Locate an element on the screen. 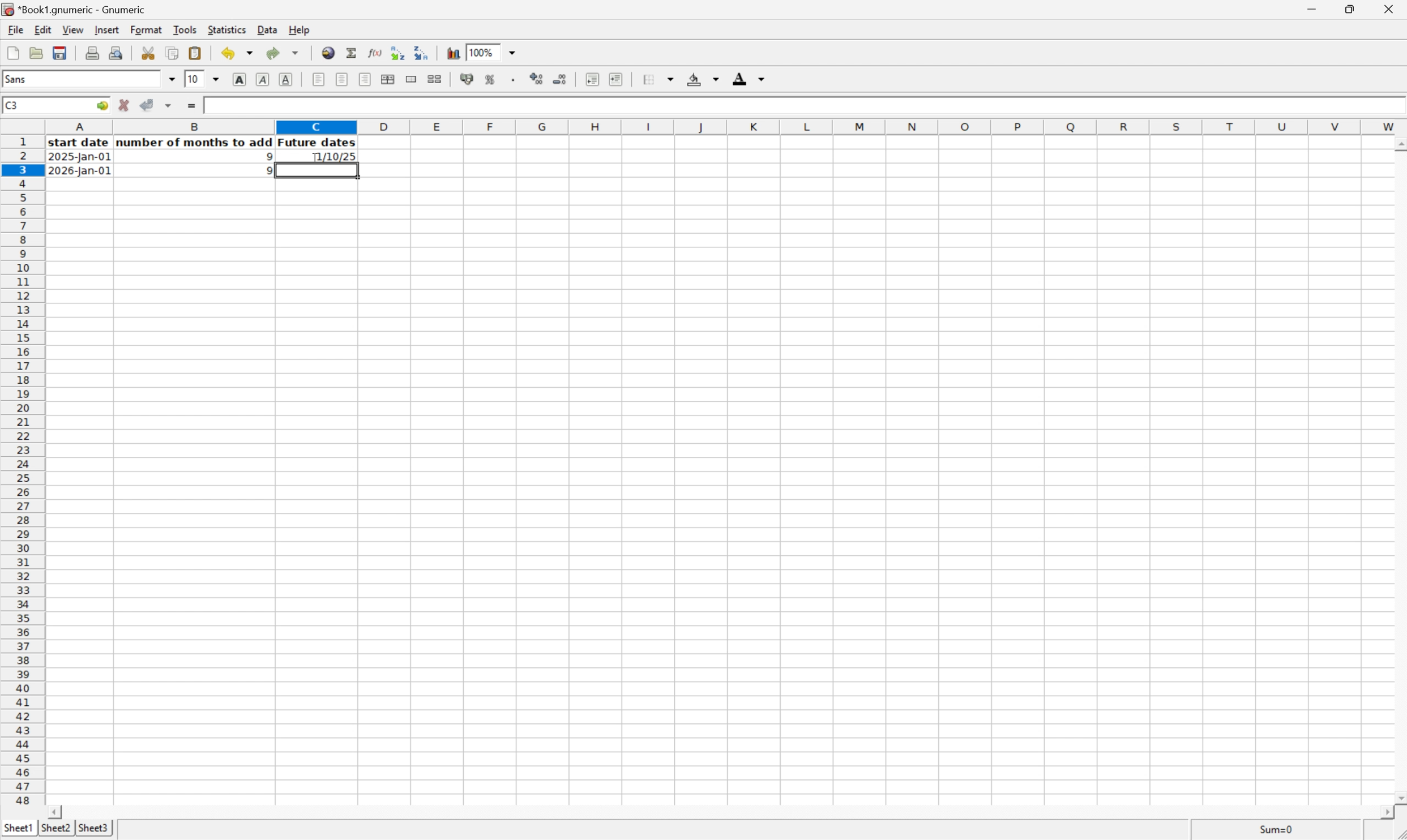 The width and height of the screenshot is (1407, 840). *Book1.gnumeric - Gnumeric is located at coordinates (76, 10).